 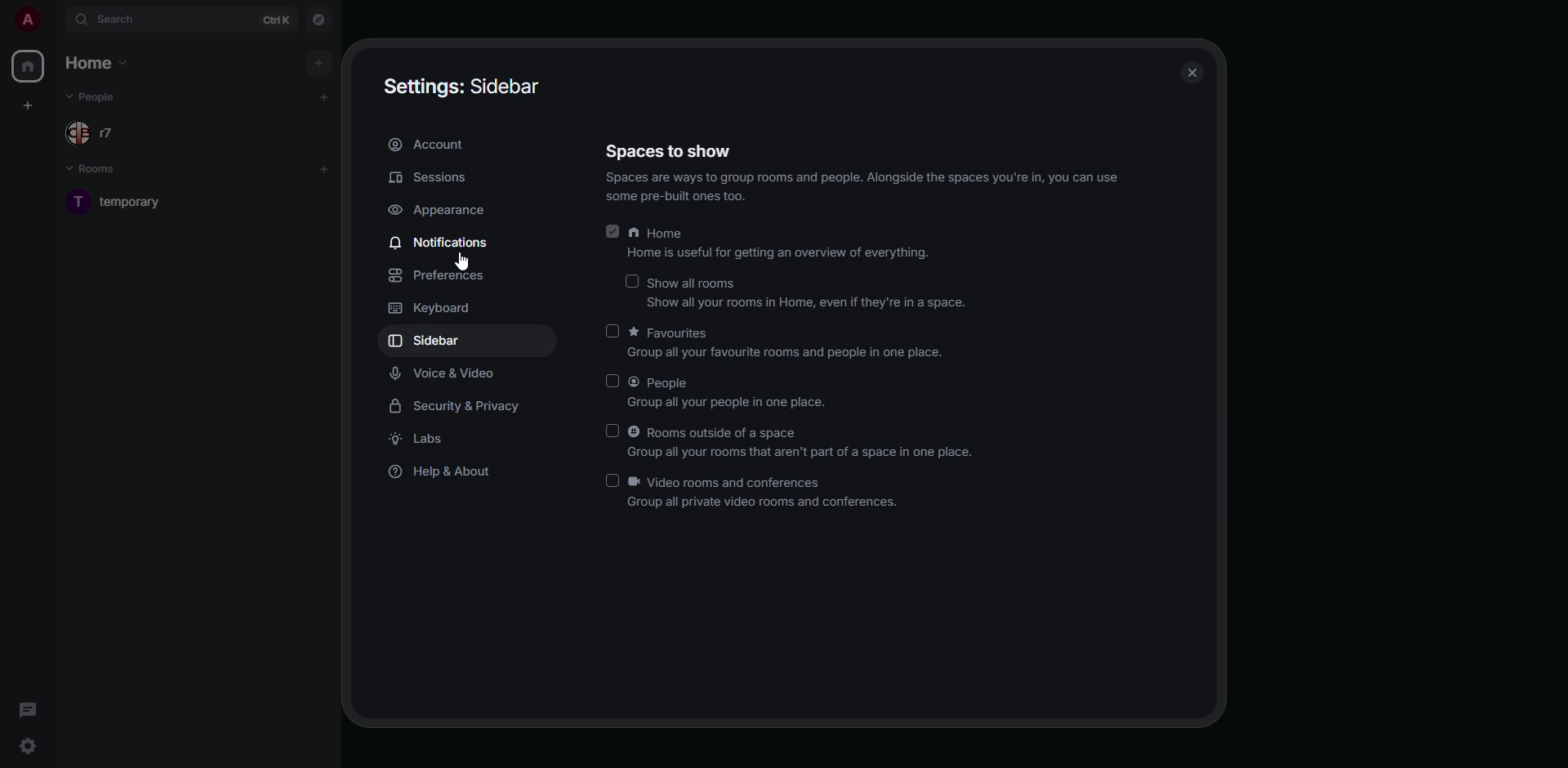 What do you see at coordinates (439, 243) in the screenshot?
I see `notifications` at bounding box center [439, 243].